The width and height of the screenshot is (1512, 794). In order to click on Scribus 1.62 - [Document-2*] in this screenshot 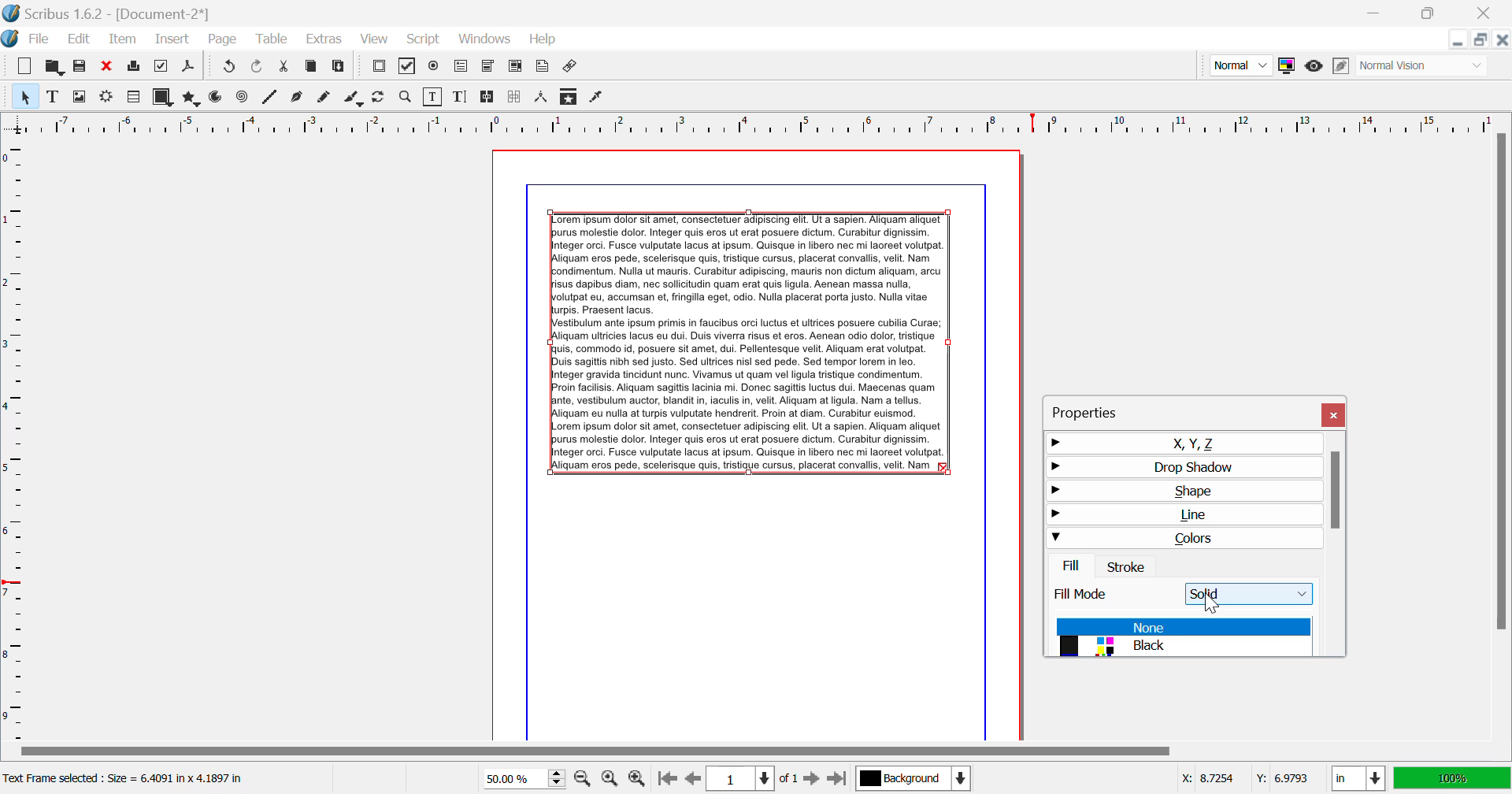, I will do `click(108, 13)`.